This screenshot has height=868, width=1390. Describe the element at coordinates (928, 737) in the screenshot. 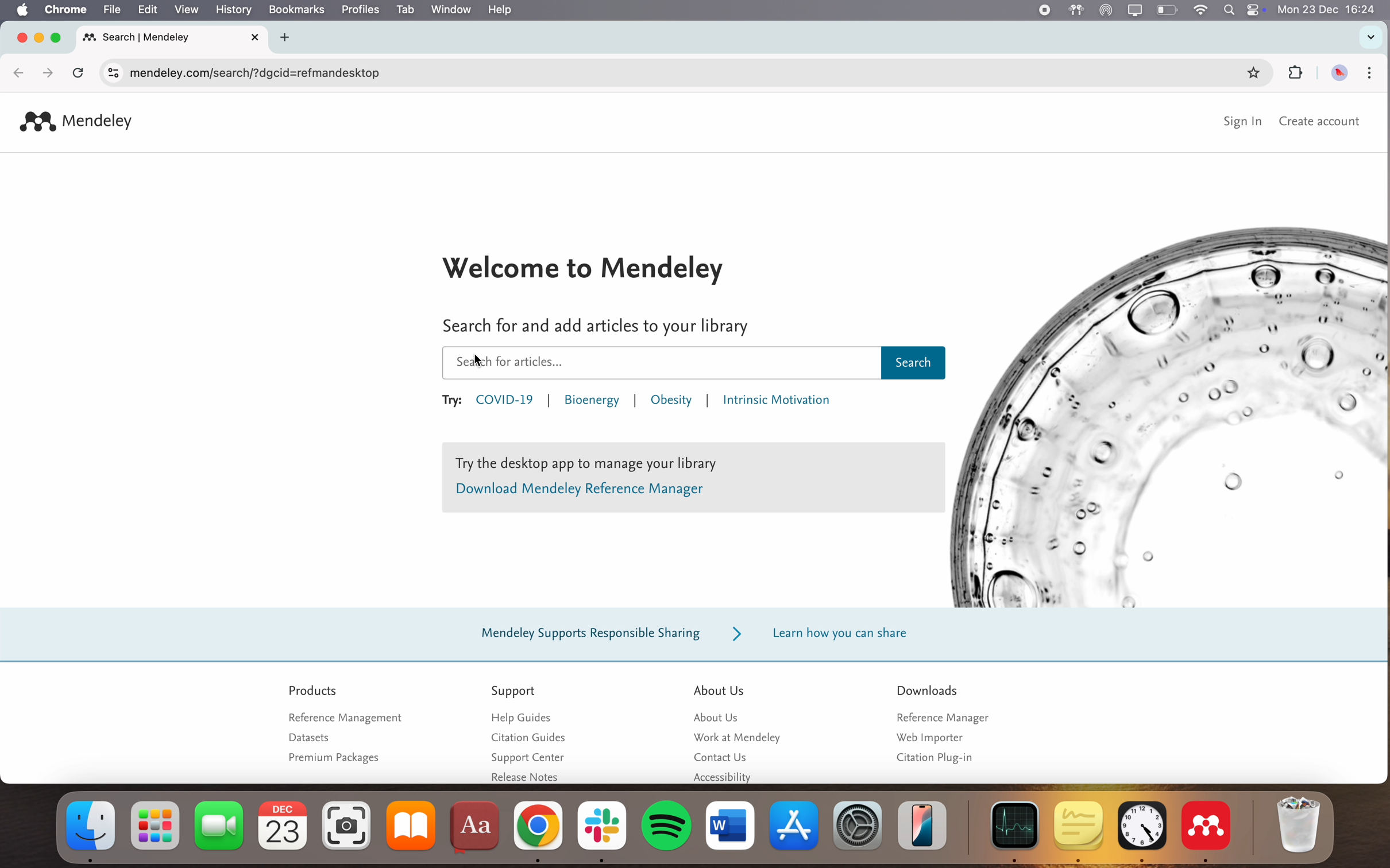

I see `web importer` at that location.